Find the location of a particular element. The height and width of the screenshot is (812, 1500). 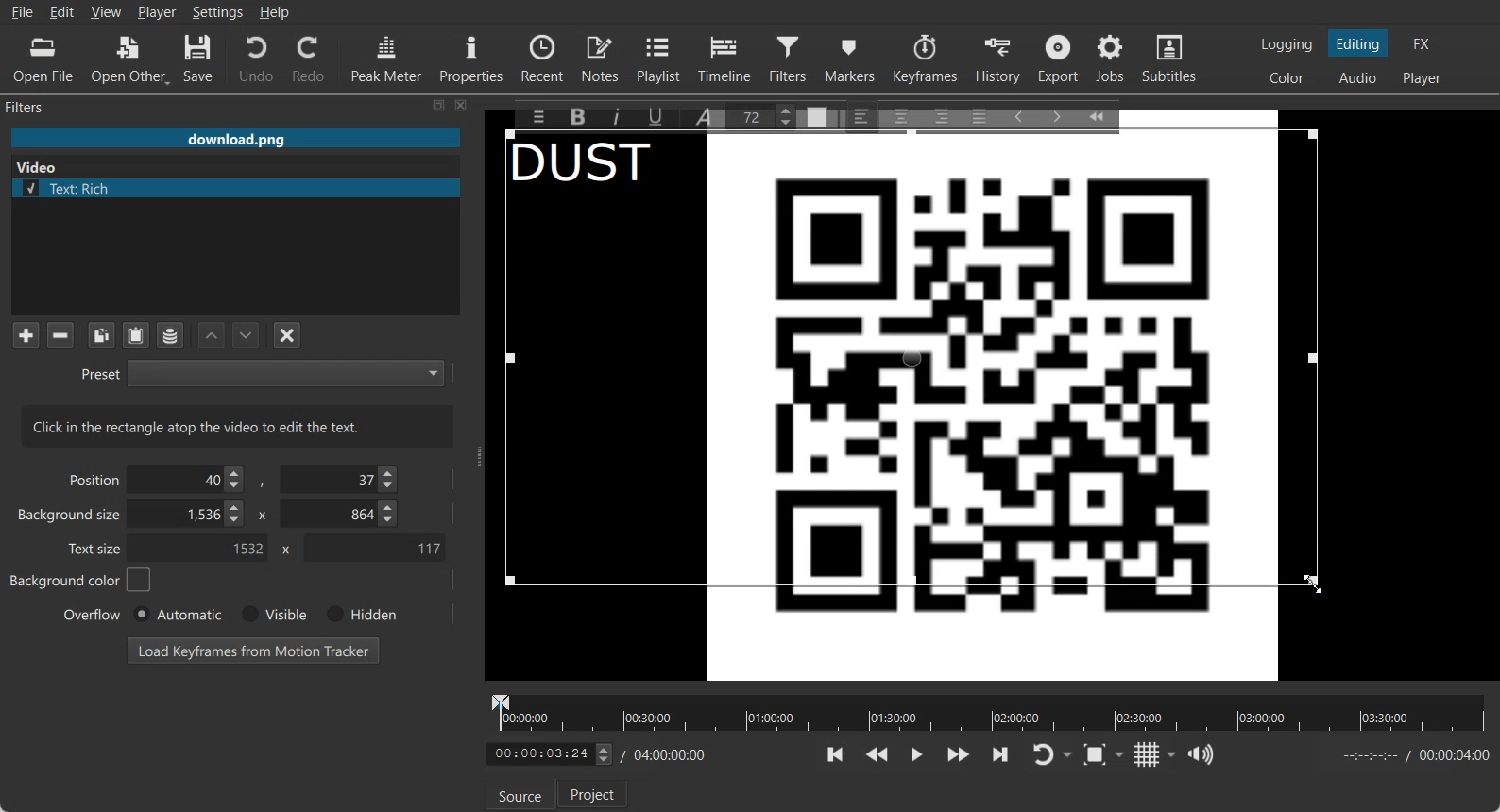

Drop down box is located at coordinates (1123, 753).